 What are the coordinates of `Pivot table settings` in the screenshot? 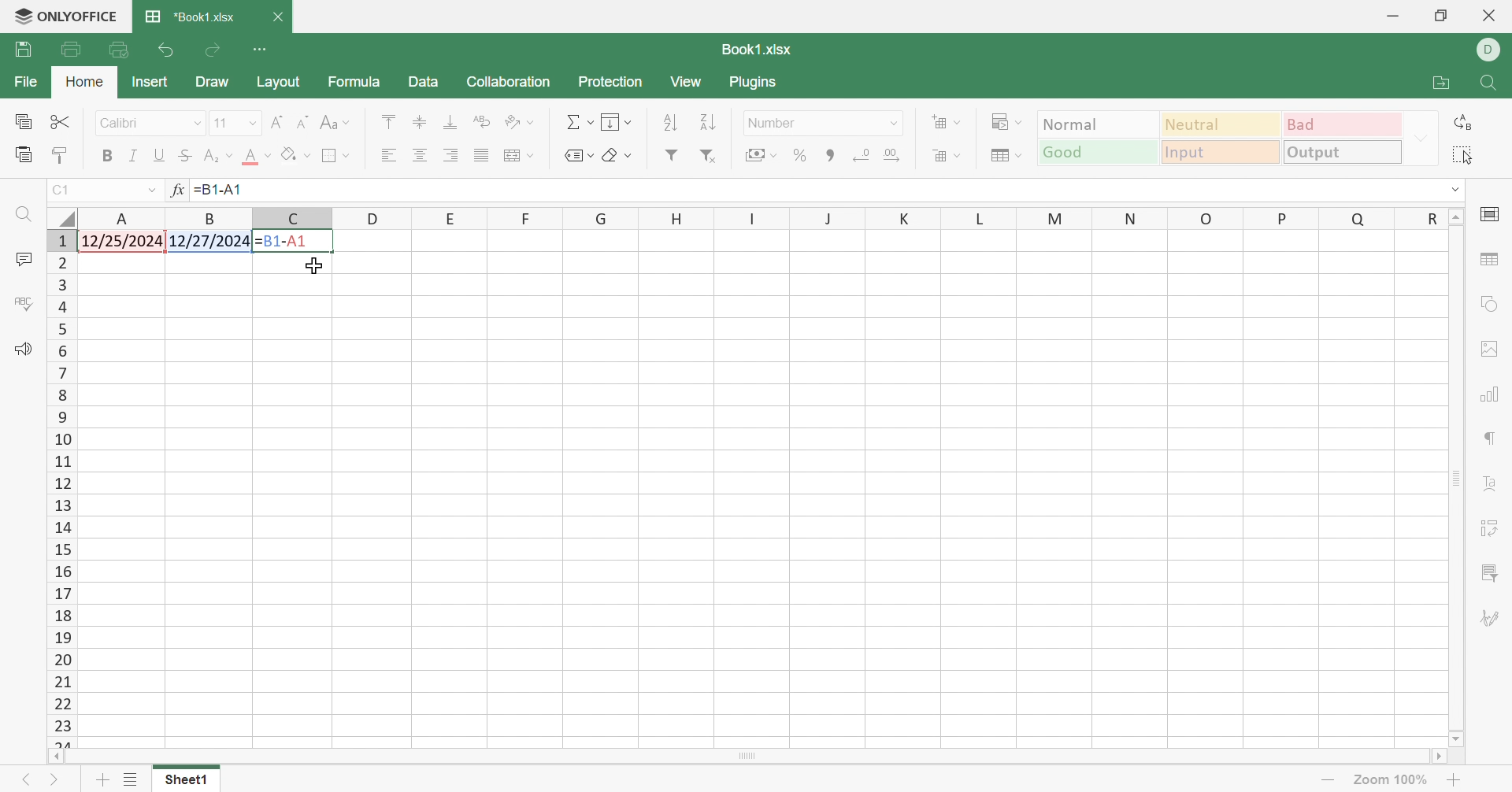 It's located at (1486, 531).